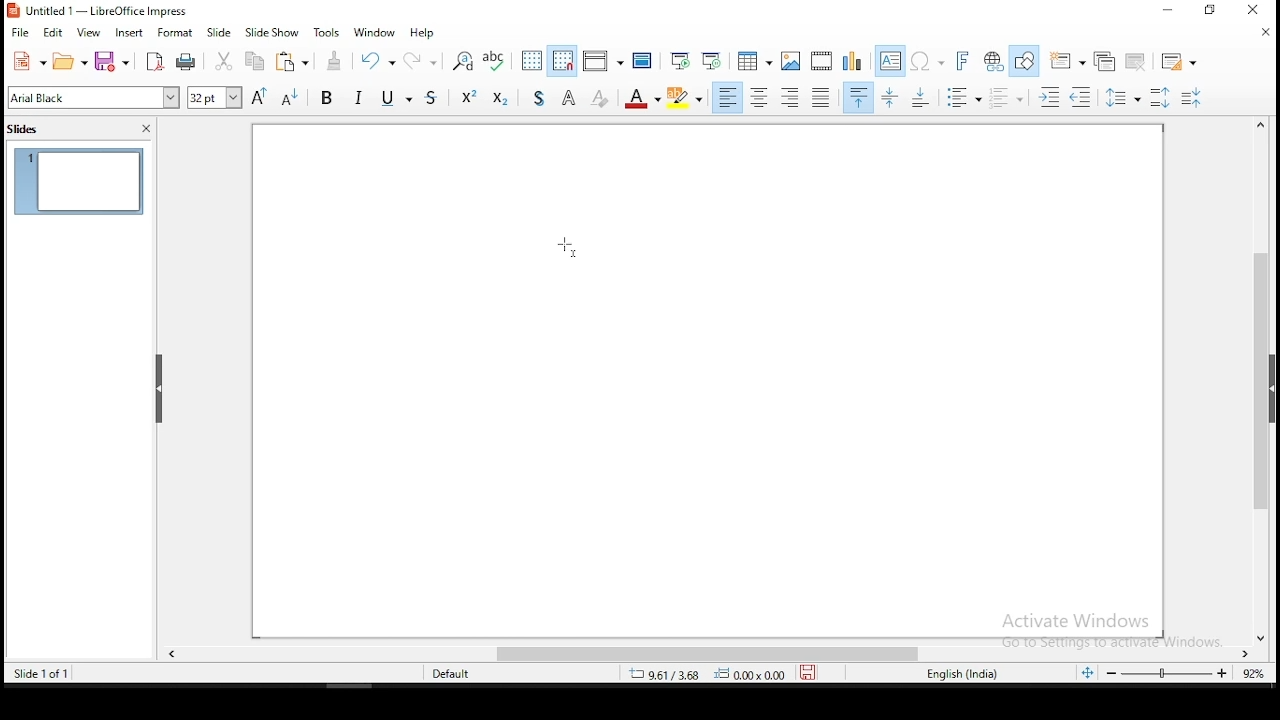 This screenshot has height=720, width=1280. Describe the element at coordinates (79, 181) in the screenshot. I see `slide 1` at that location.